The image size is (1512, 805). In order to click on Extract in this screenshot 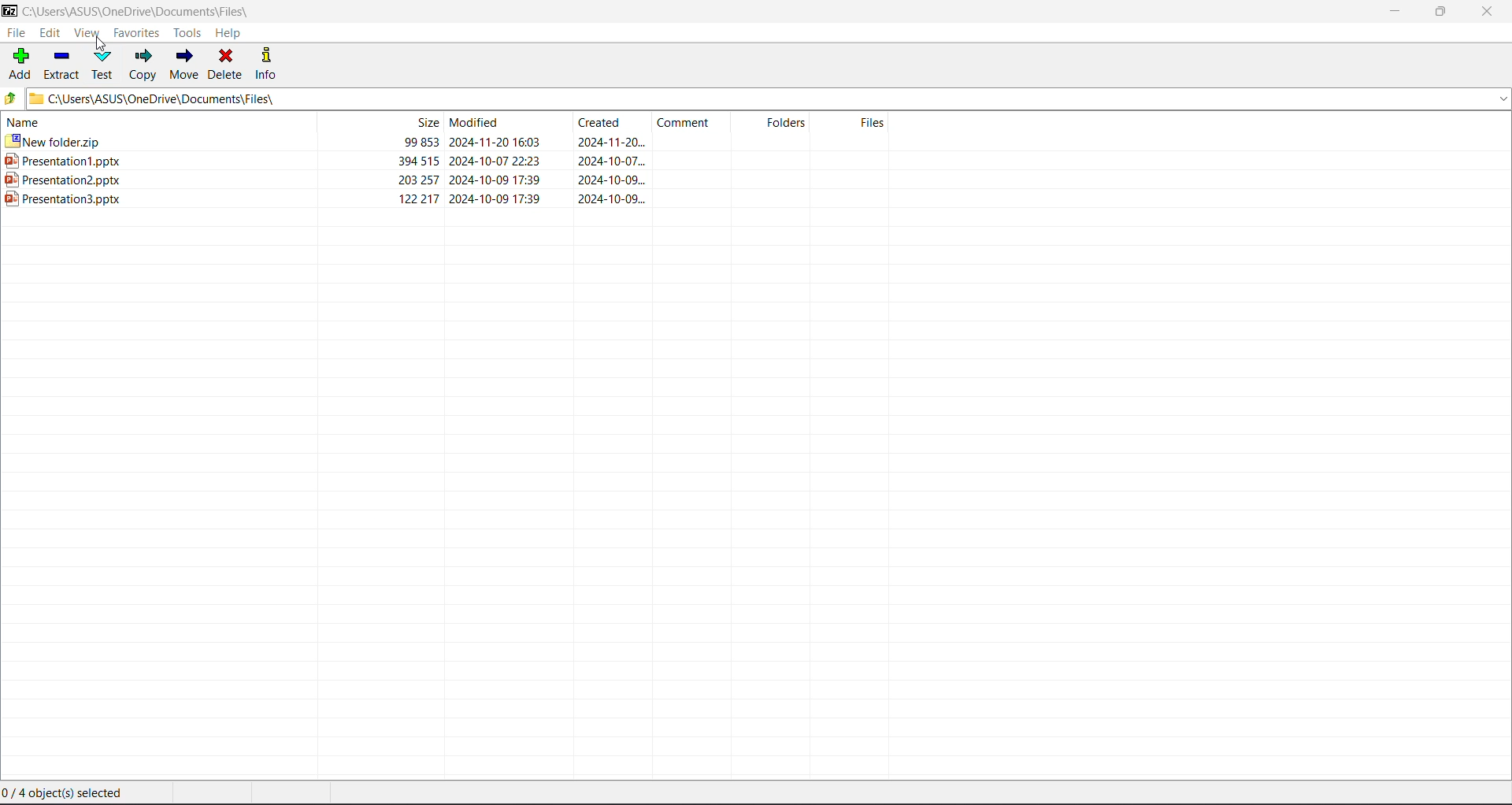, I will do `click(60, 65)`.